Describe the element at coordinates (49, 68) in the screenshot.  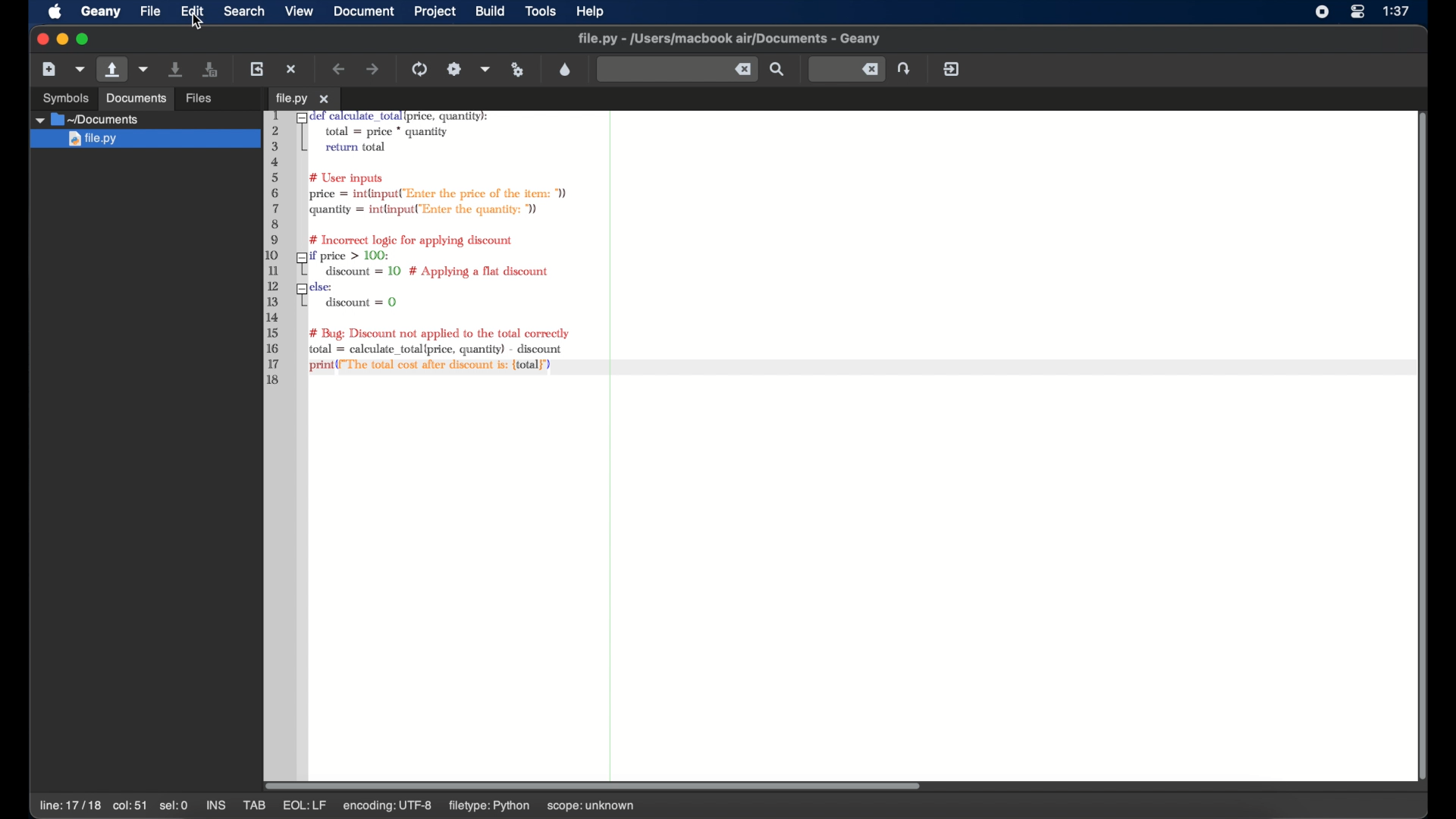
I see `new file` at that location.